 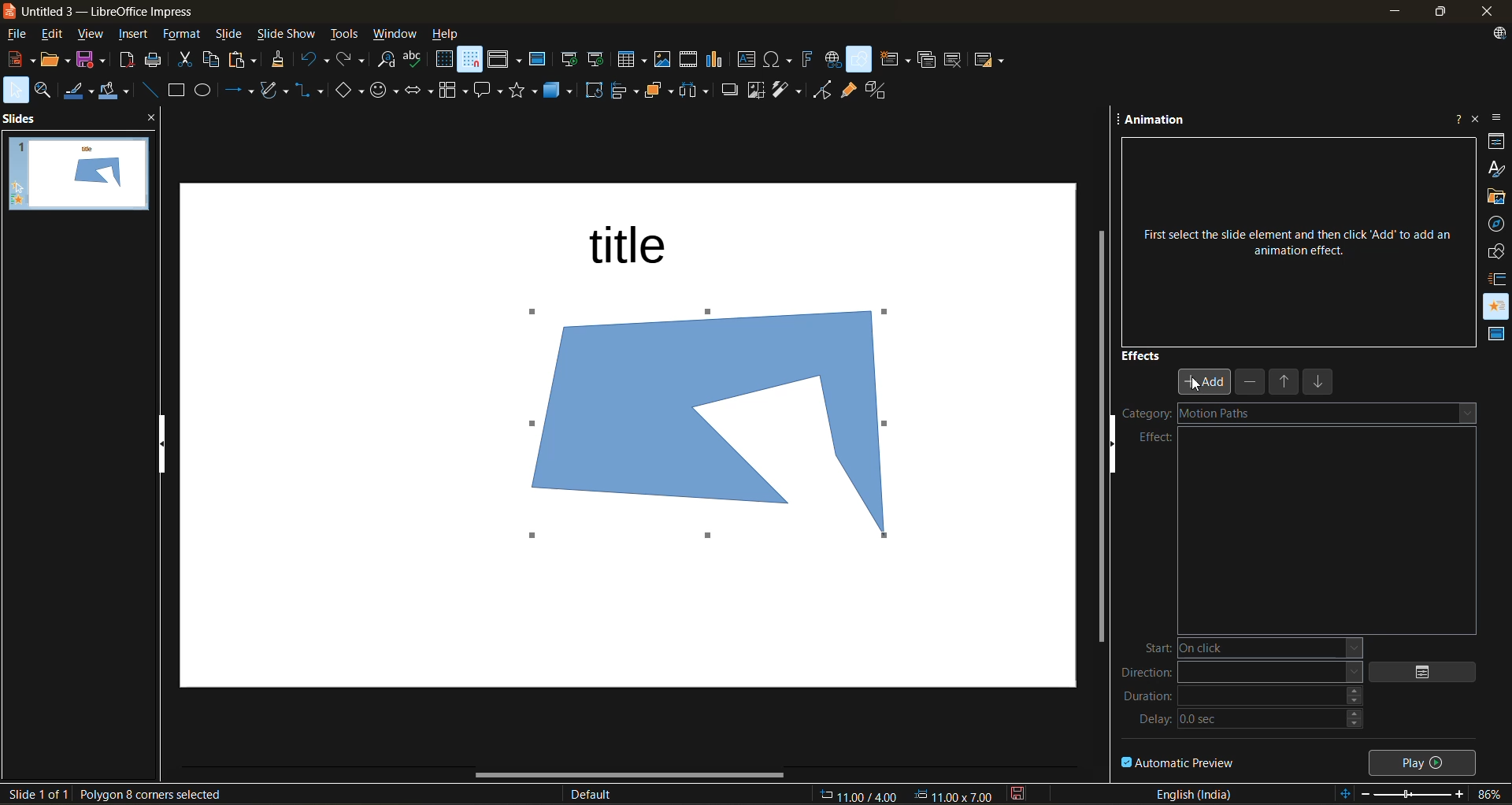 I want to click on basic shapes, so click(x=352, y=95).